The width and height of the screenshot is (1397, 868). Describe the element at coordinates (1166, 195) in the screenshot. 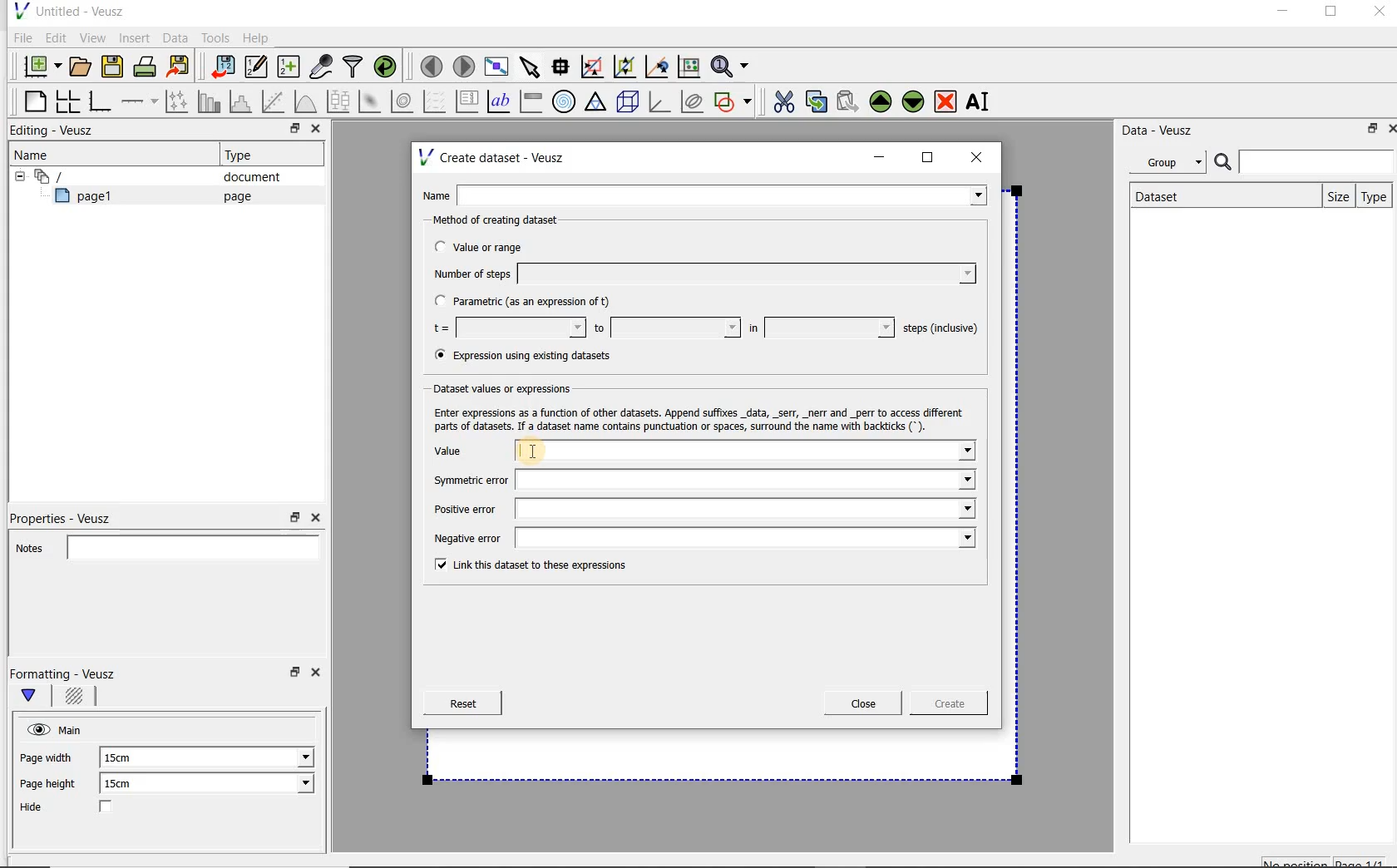

I see `Dataset` at that location.